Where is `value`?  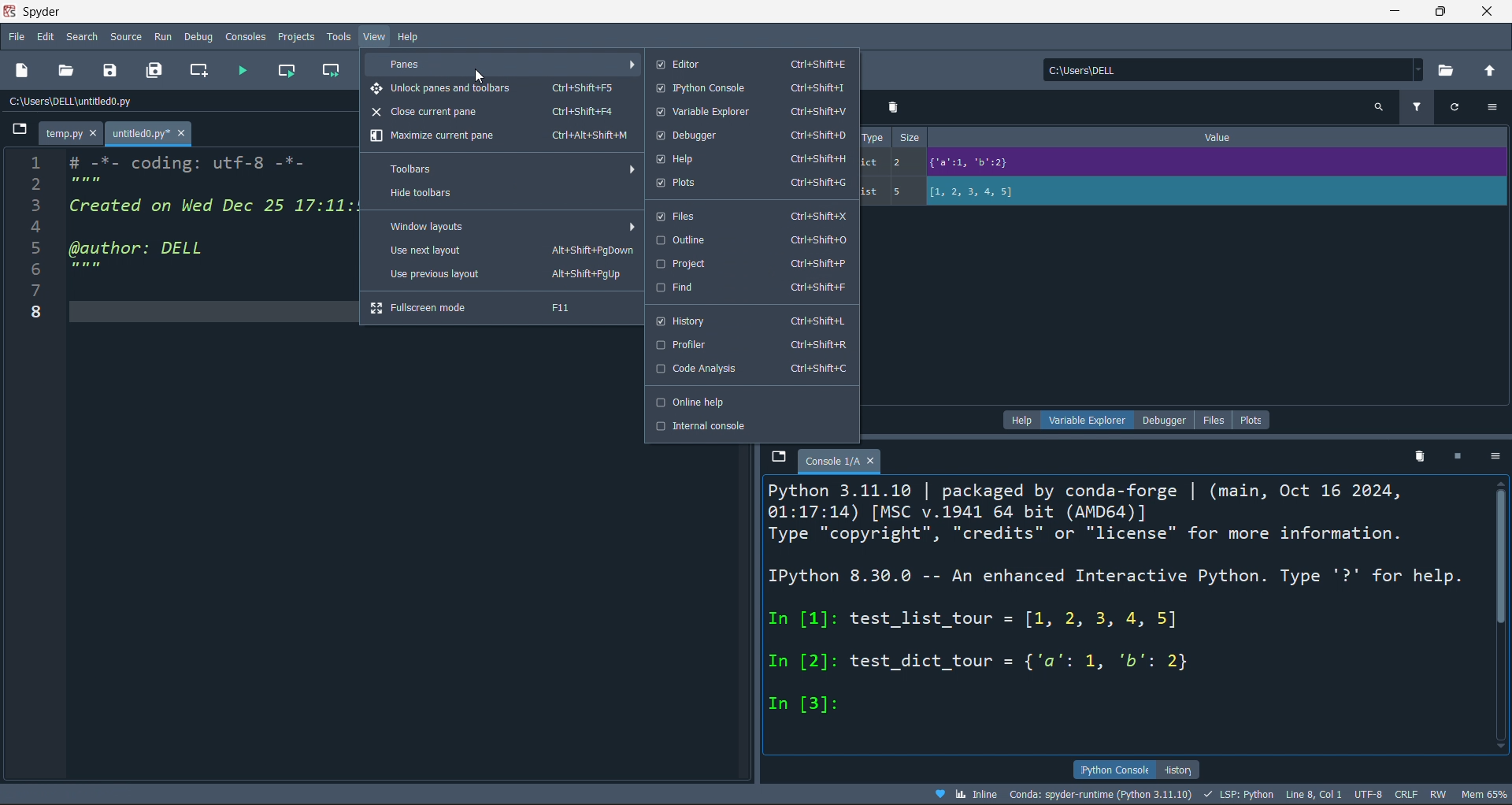 value is located at coordinates (1220, 135).